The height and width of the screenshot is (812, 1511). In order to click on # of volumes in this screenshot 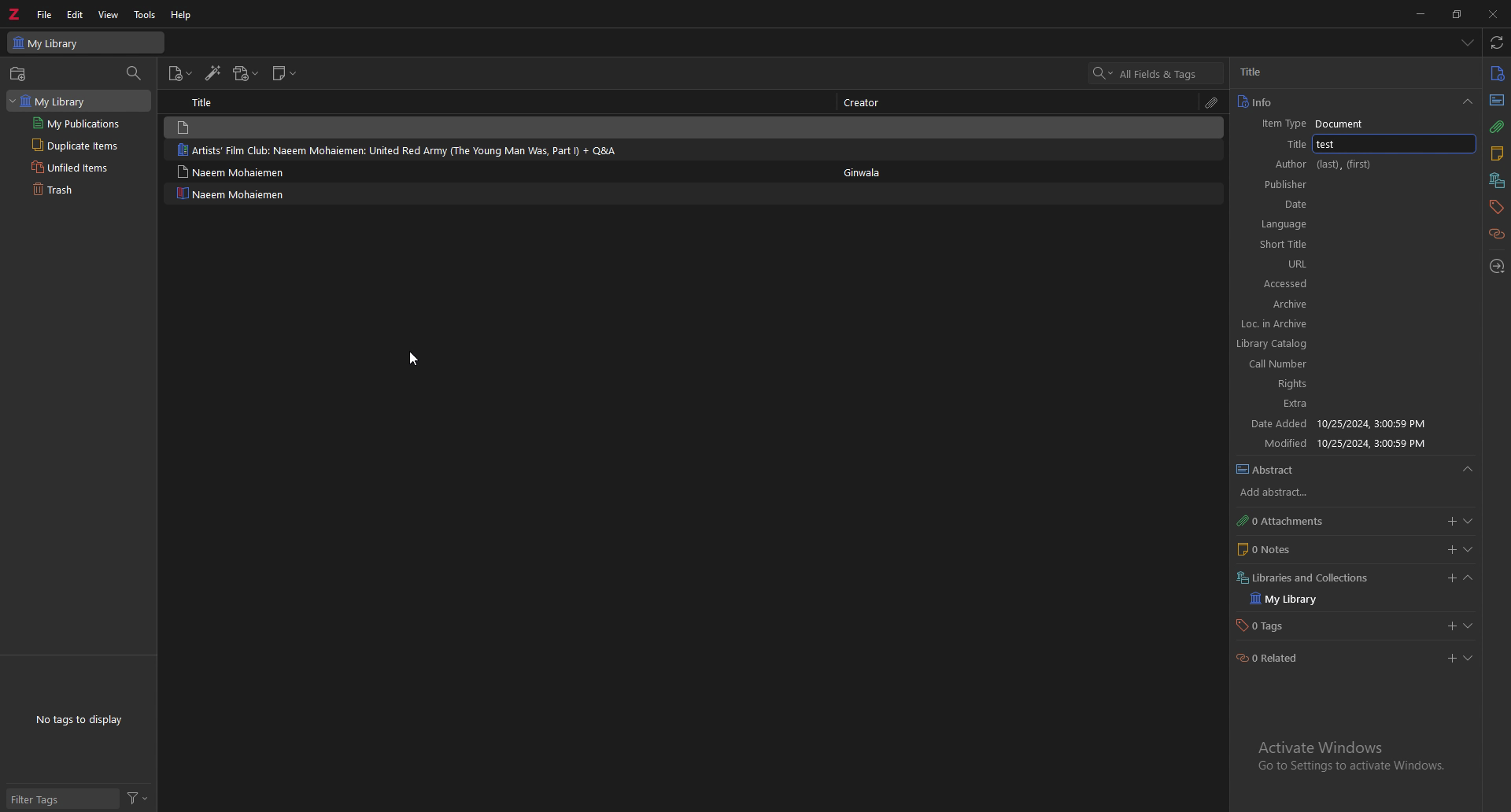, I will do `click(1277, 264)`.